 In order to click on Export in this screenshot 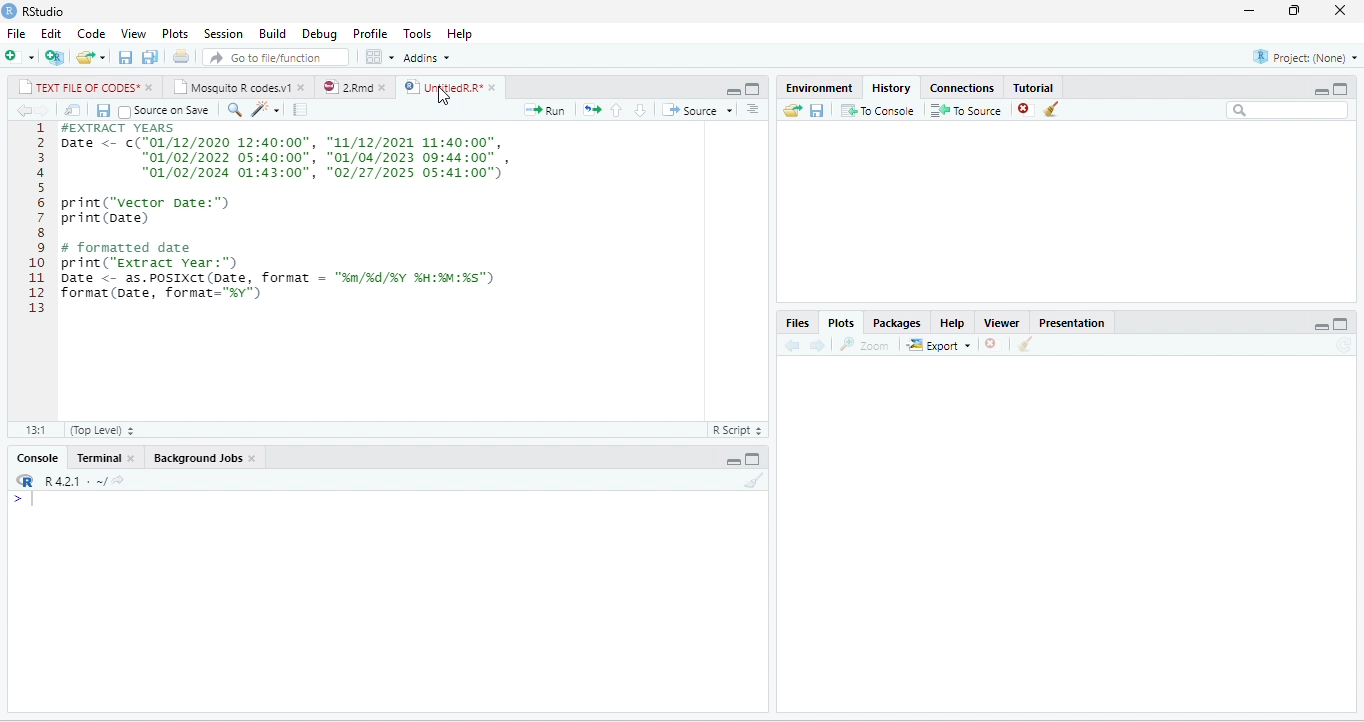, I will do `click(940, 344)`.